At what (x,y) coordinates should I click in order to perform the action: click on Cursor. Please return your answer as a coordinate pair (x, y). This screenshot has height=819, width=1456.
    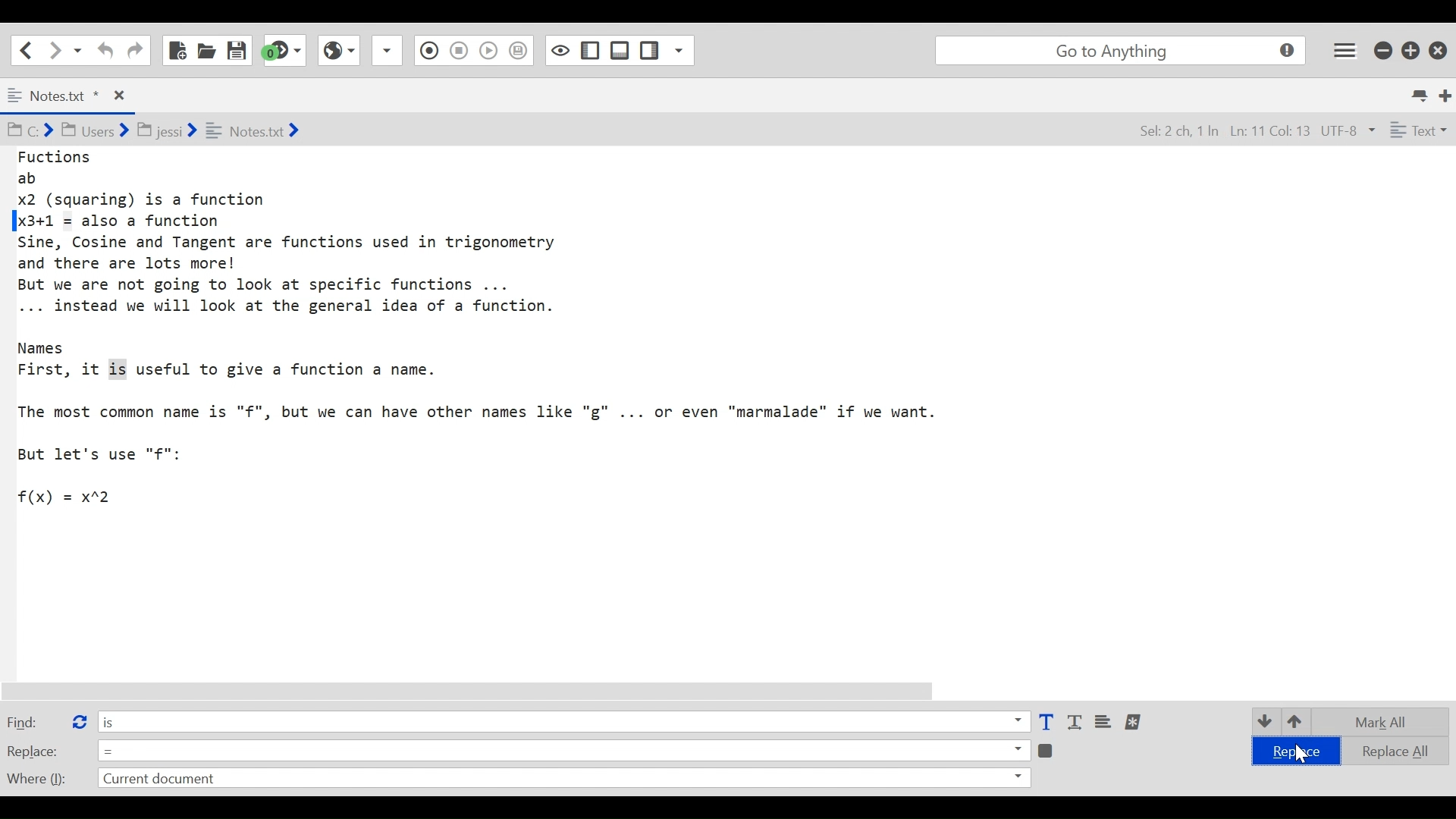
    Looking at the image, I should click on (1298, 753).